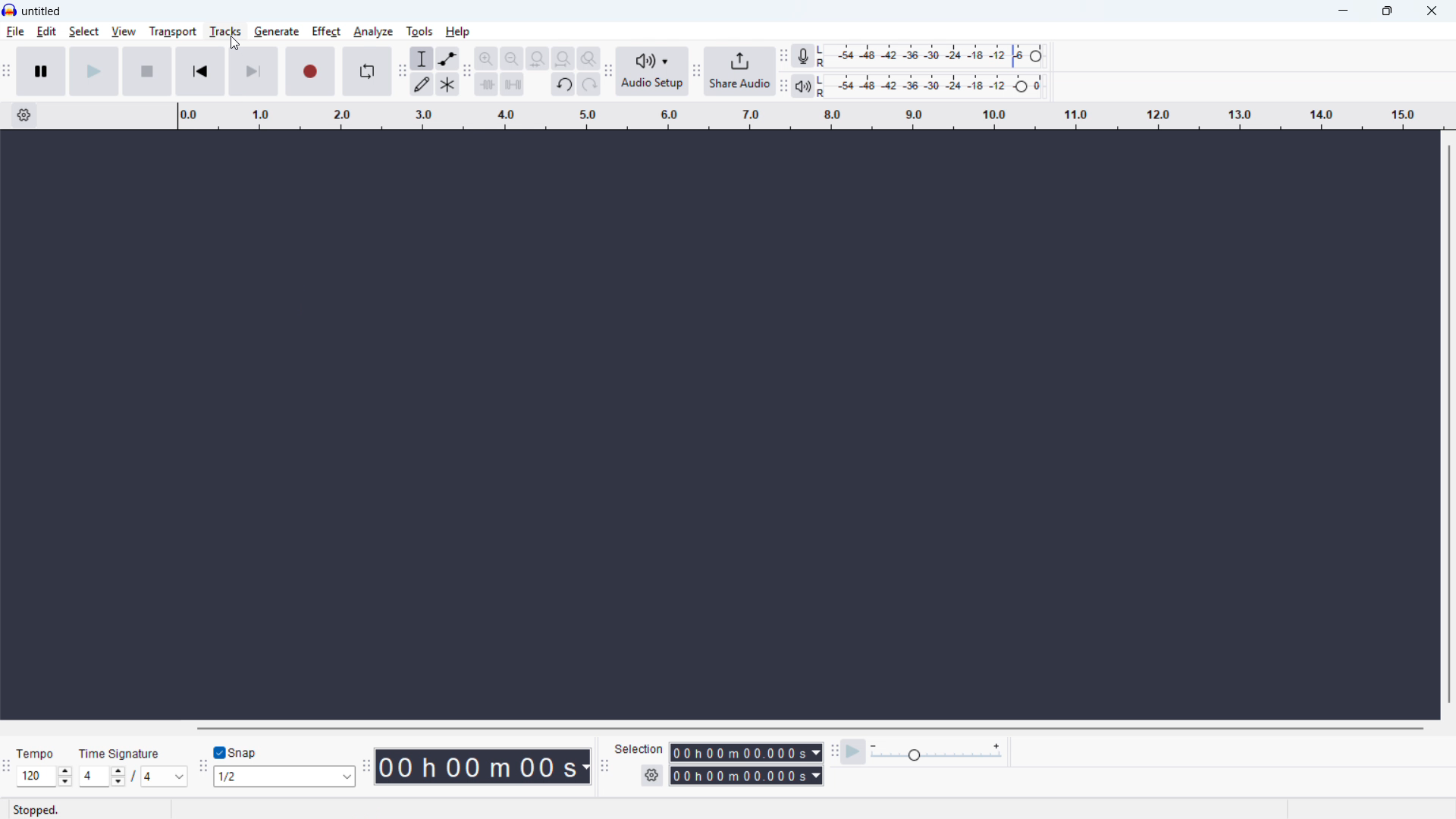  I want to click on Undo , so click(564, 85).